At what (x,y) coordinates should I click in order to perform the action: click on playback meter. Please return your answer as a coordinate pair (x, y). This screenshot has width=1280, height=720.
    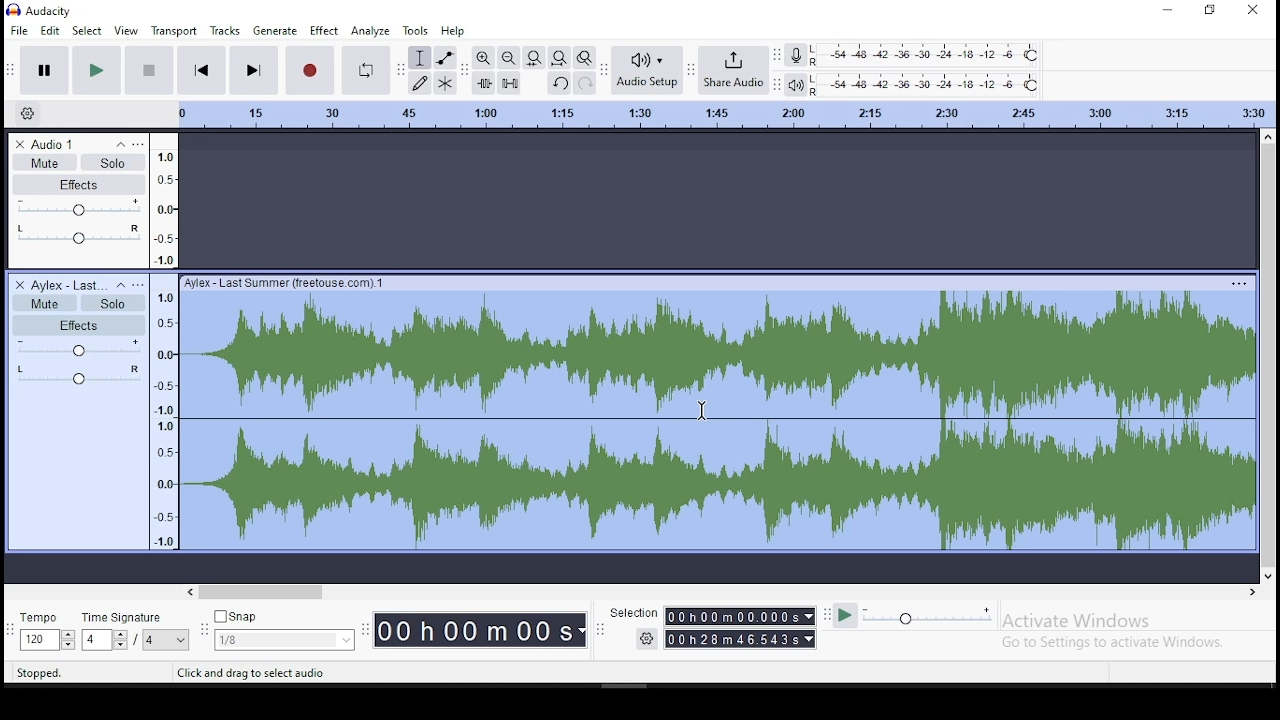
    Looking at the image, I should click on (794, 84).